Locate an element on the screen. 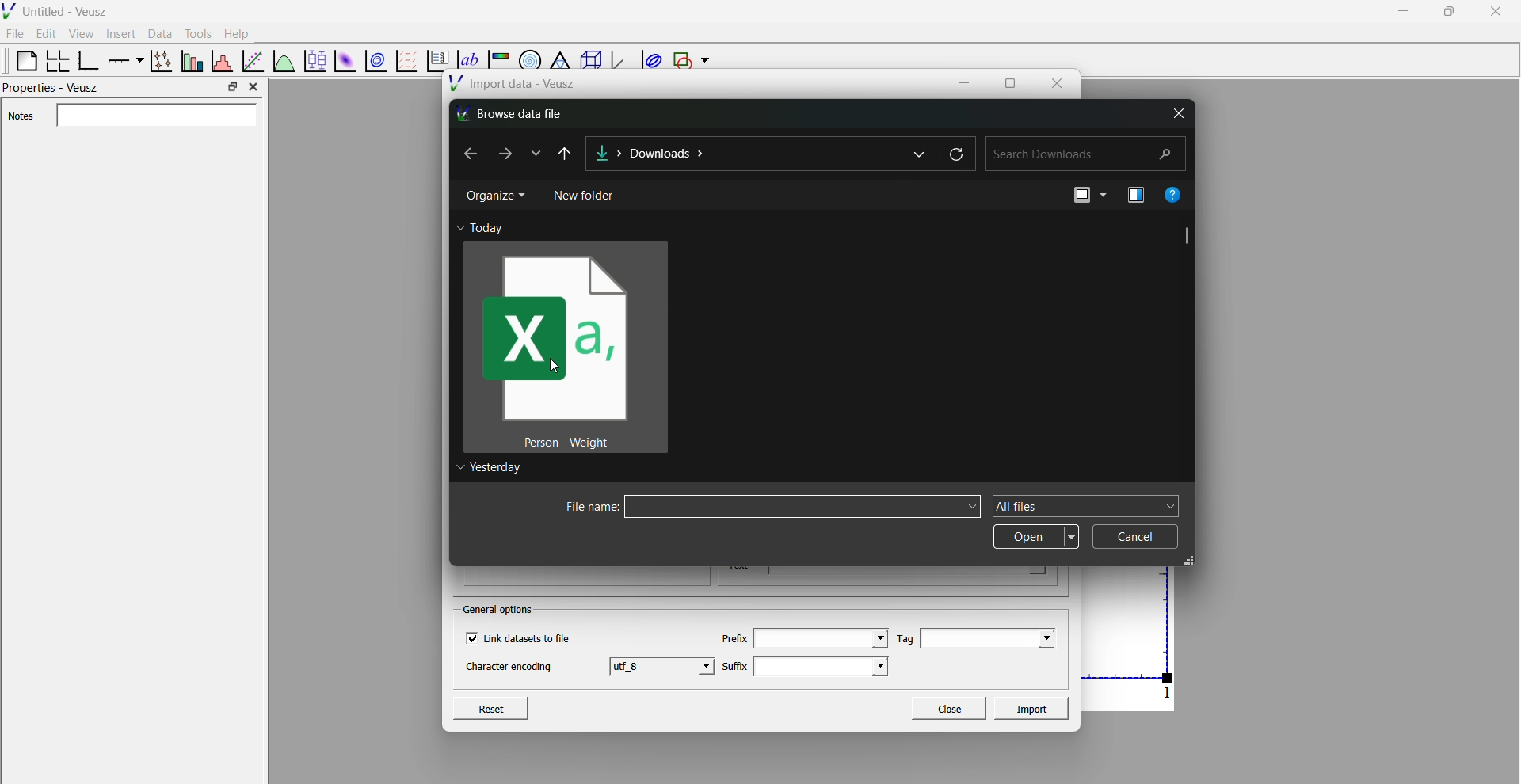  minimize is located at coordinates (1401, 10).